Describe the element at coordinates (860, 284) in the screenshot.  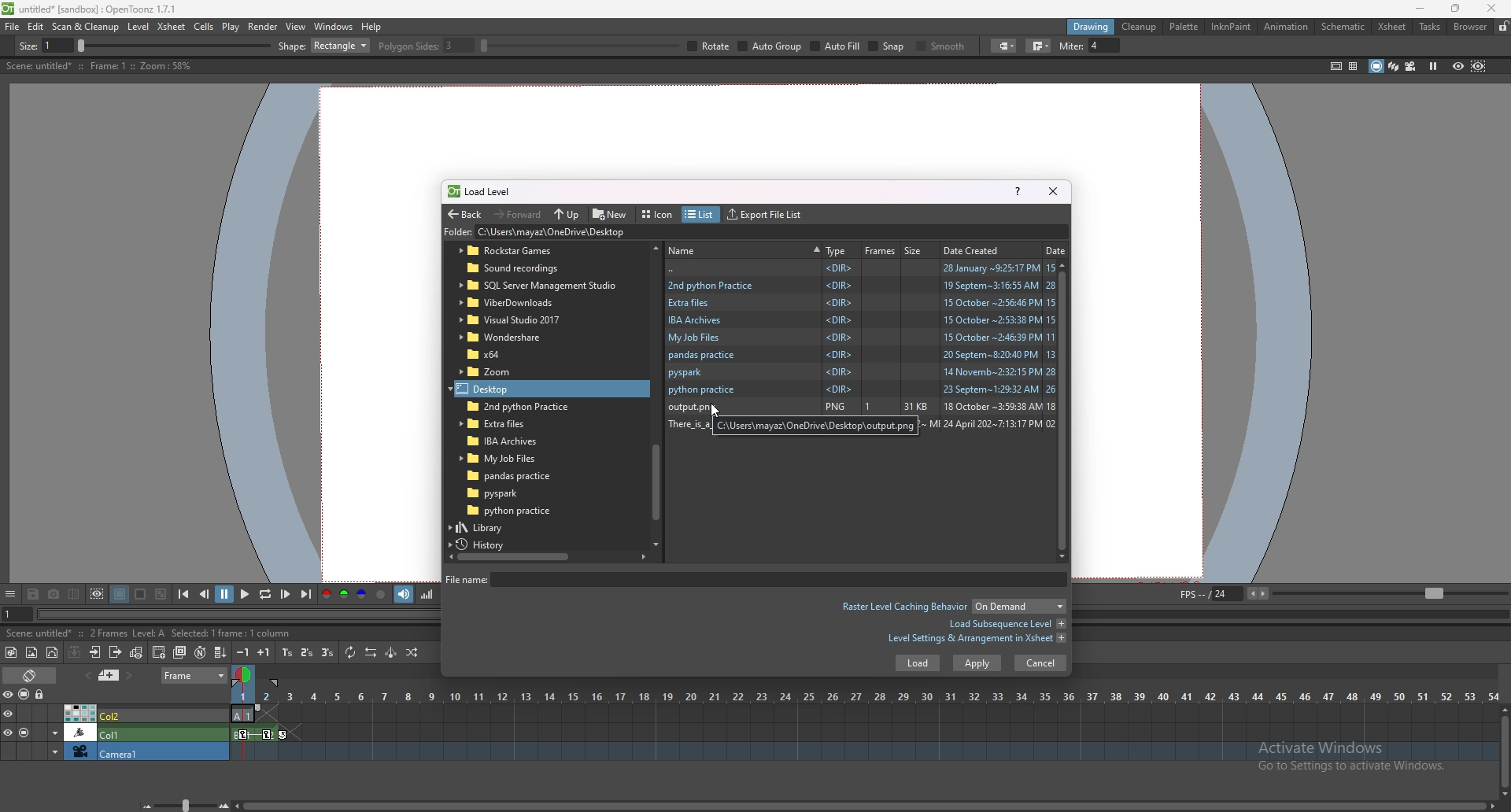
I see `folder` at that location.